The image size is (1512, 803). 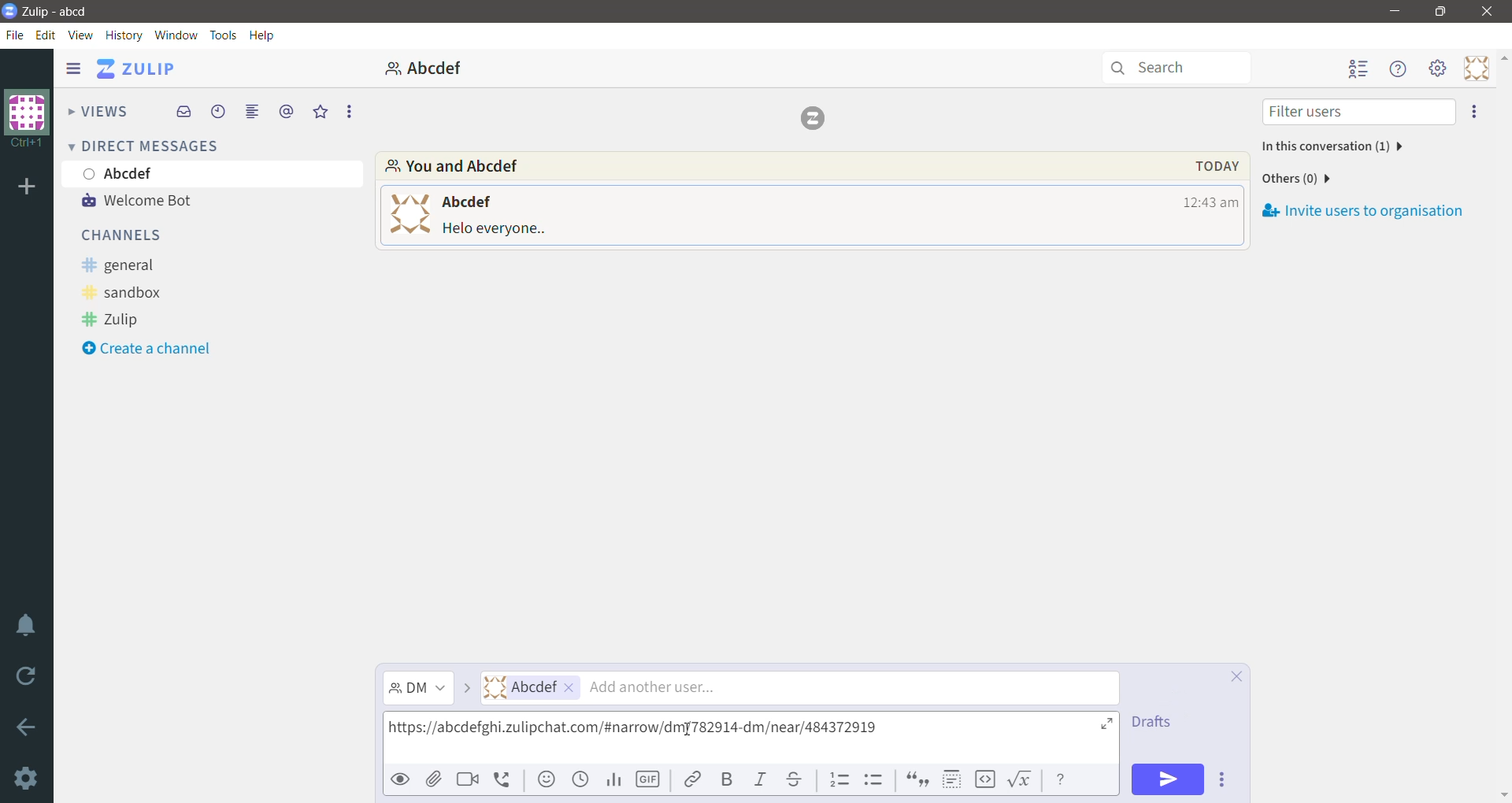 What do you see at coordinates (744, 165) in the screenshot?
I see `Participants involved in the conversation` at bounding box center [744, 165].